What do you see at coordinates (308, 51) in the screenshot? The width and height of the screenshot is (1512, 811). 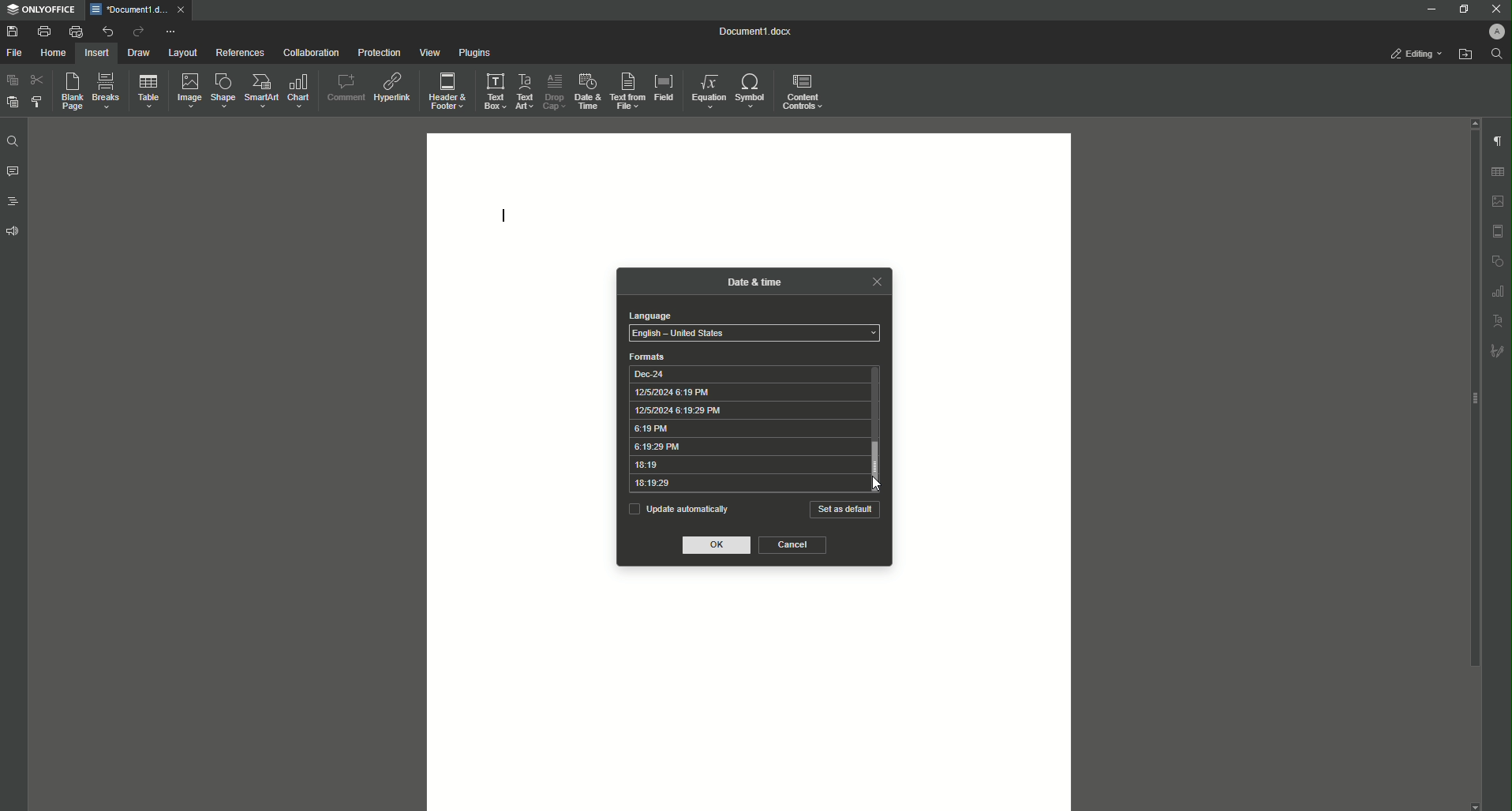 I see `Collaboration` at bounding box center [308, 51].